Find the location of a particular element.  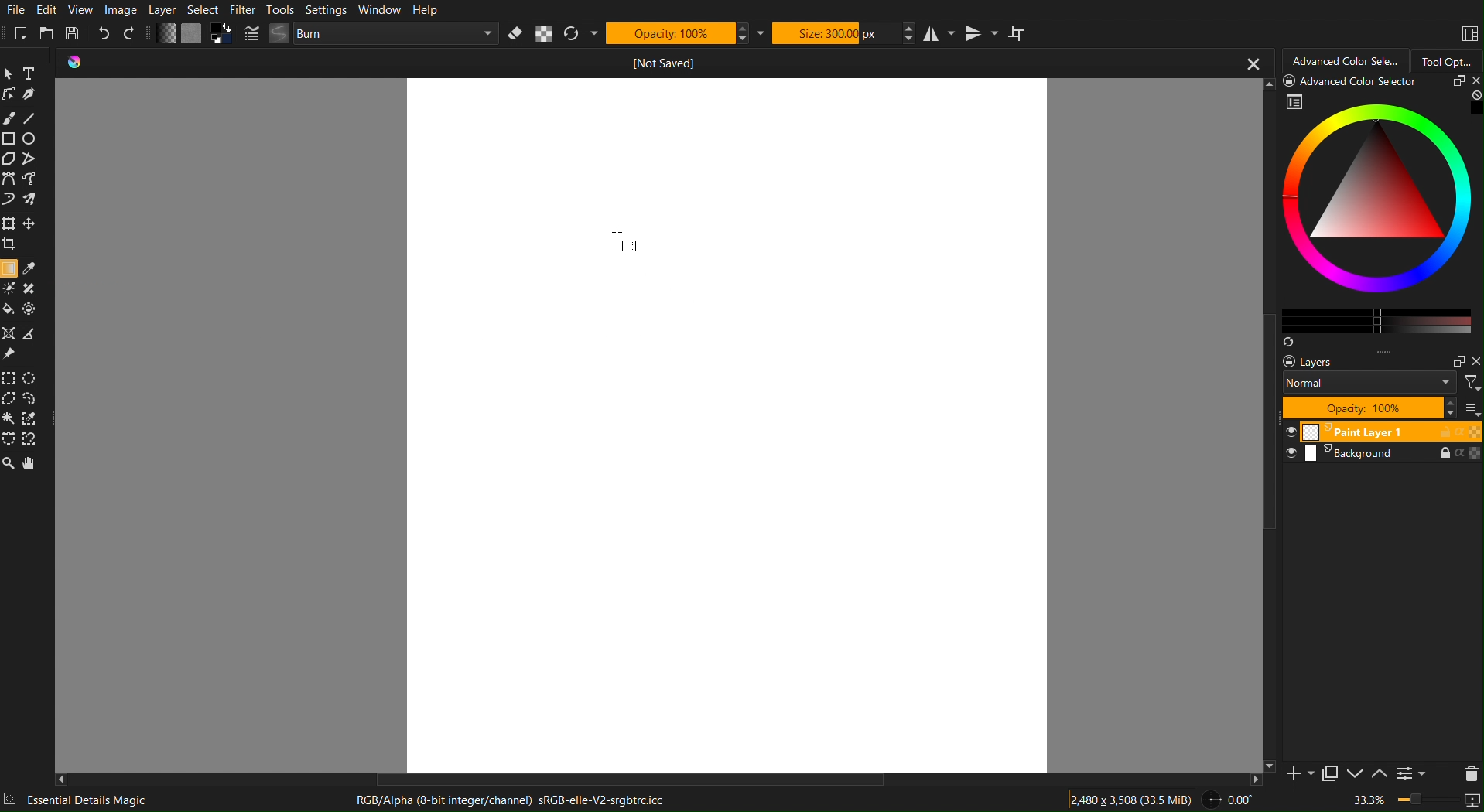

Edit is located at coordinates (48, 11).